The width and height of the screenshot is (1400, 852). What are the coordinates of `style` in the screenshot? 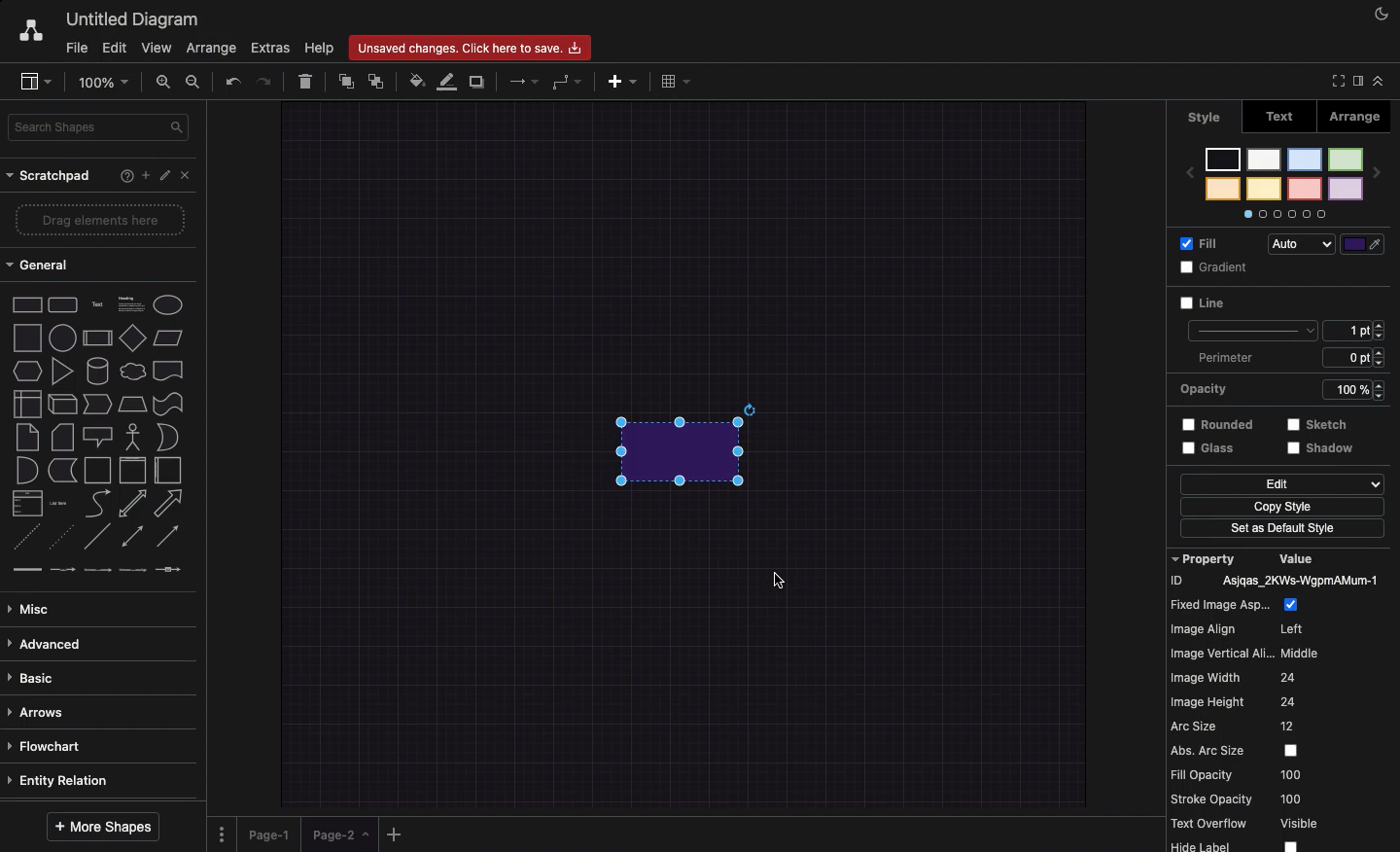 It's located at (1205, 117).